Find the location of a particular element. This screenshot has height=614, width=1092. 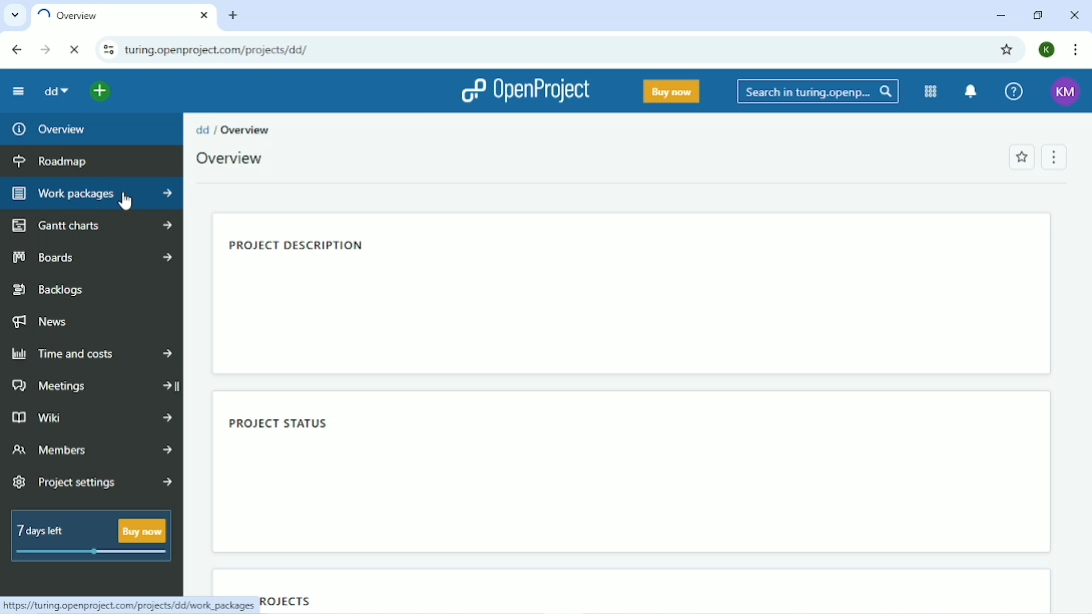

Add to favorites is located at coordinates (1022, 157).